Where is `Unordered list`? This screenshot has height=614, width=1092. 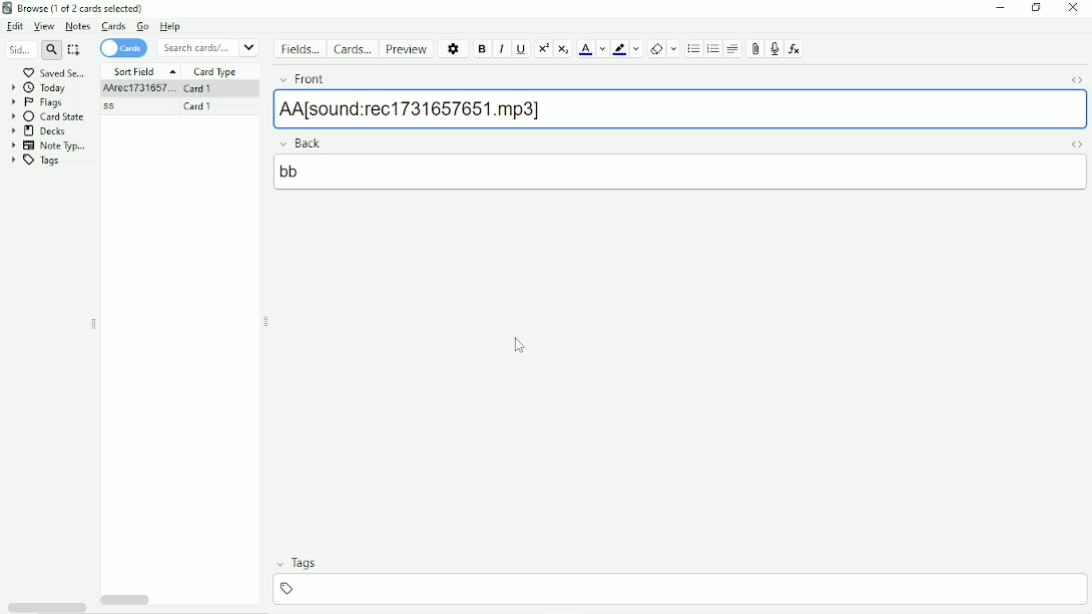 Unordered list is located at coordinates (694, 49).